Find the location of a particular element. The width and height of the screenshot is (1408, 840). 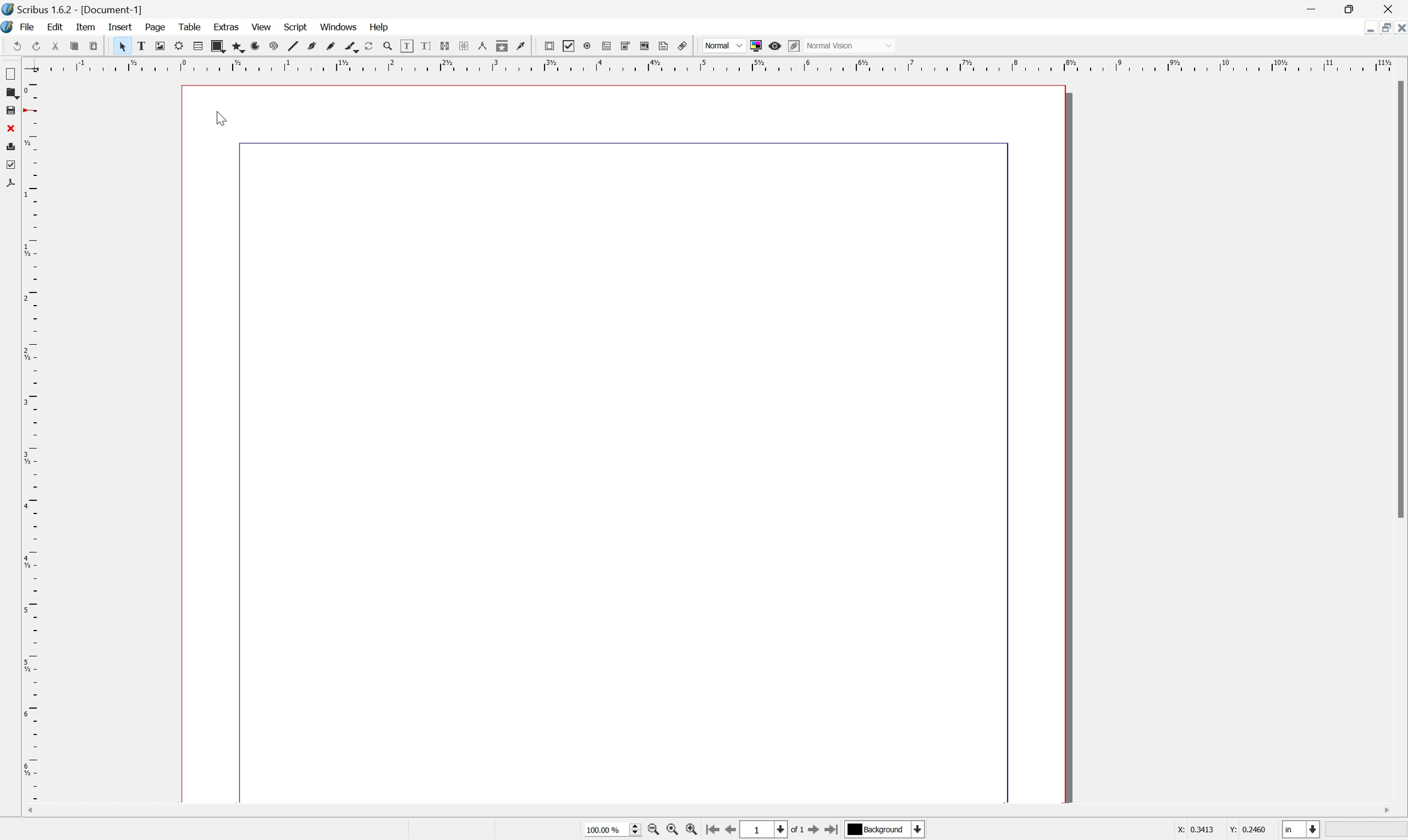

file is located at coordinates (29, 27).